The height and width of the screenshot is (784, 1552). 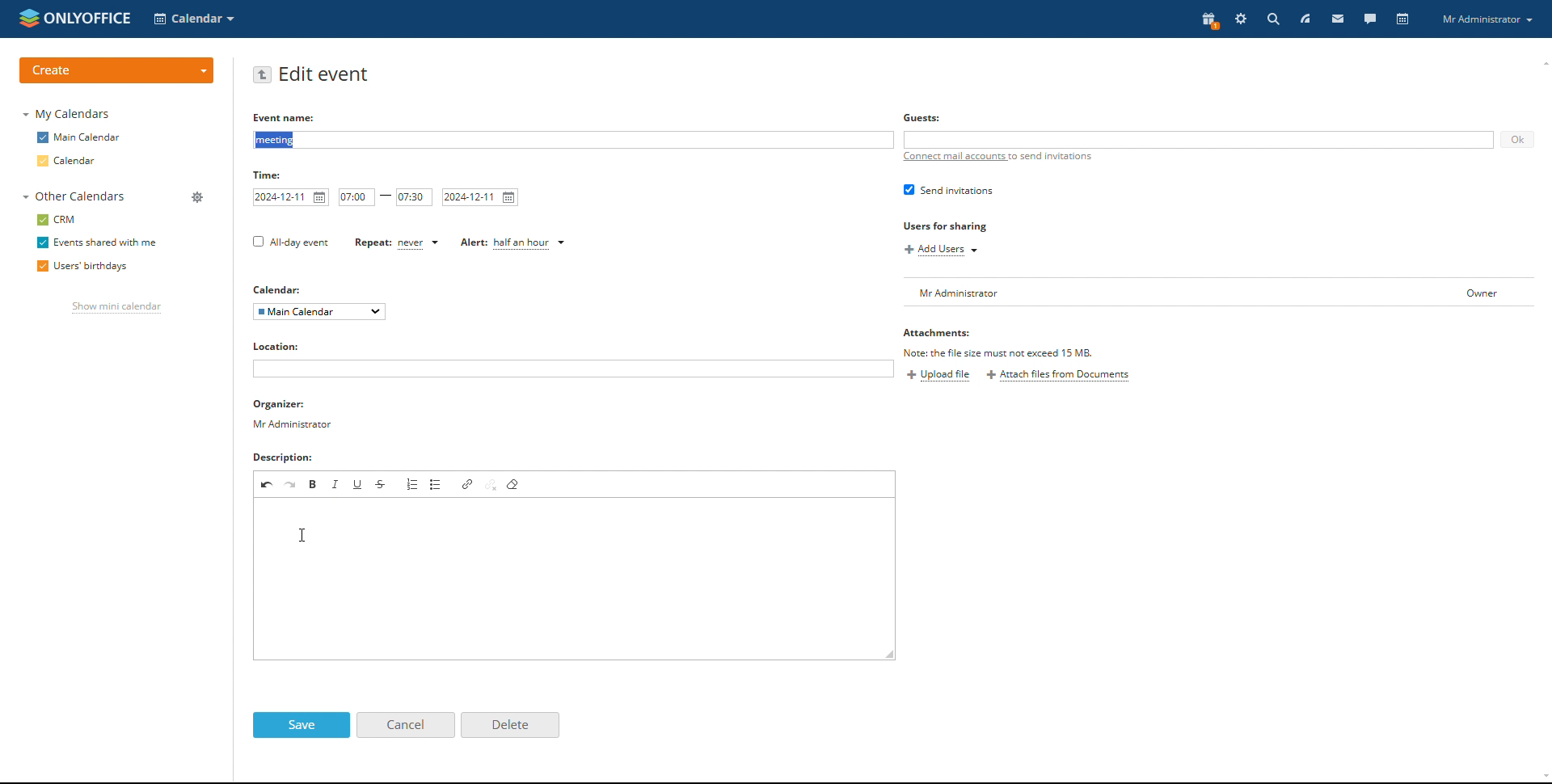 What do you see at coordinates (69, 162) in the screenshot?
I see `calendar` at bounding box center [69, 162].